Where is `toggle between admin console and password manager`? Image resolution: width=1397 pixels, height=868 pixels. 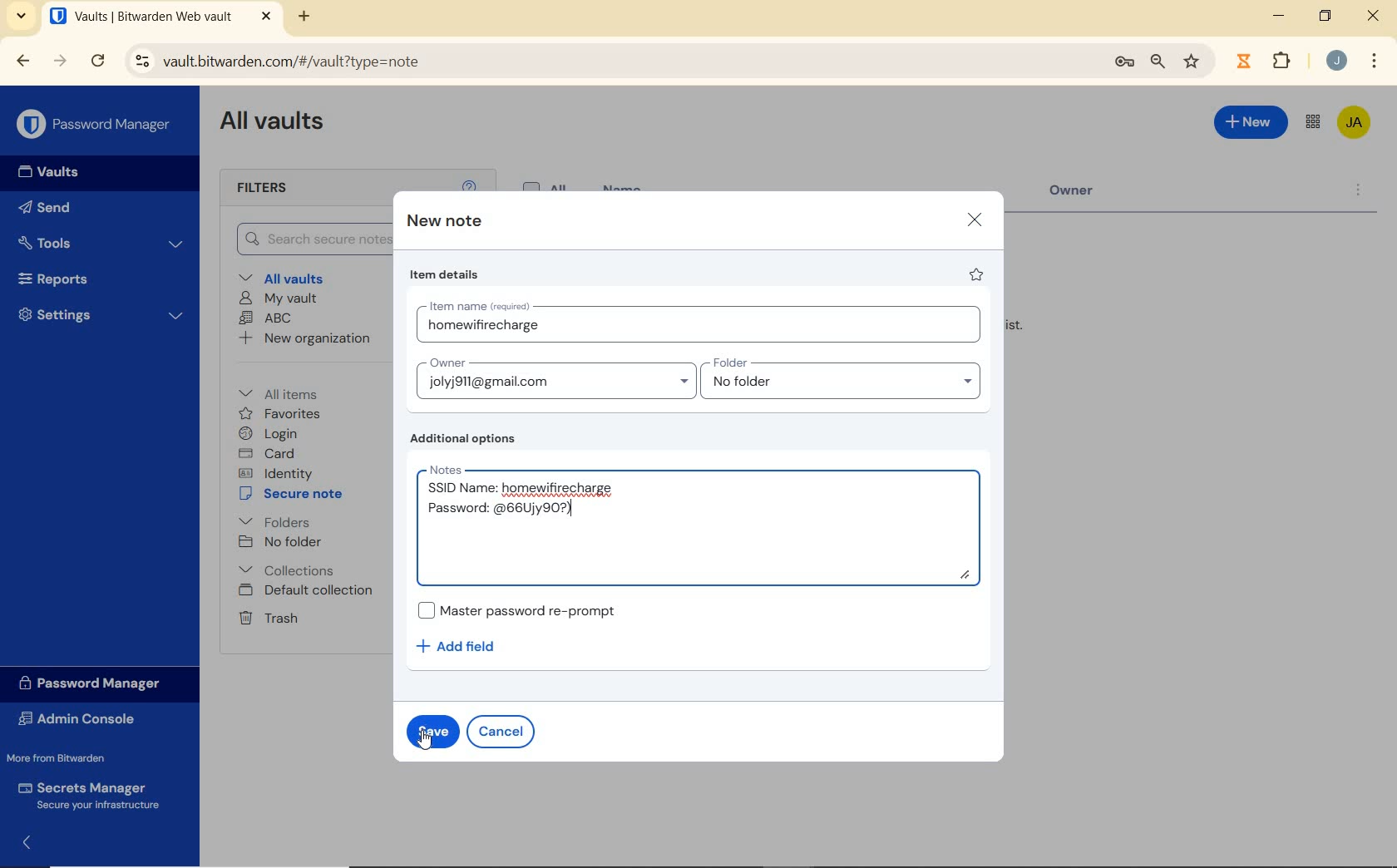
toggle between admin console and password manager is located at coordinates (1313, 123).